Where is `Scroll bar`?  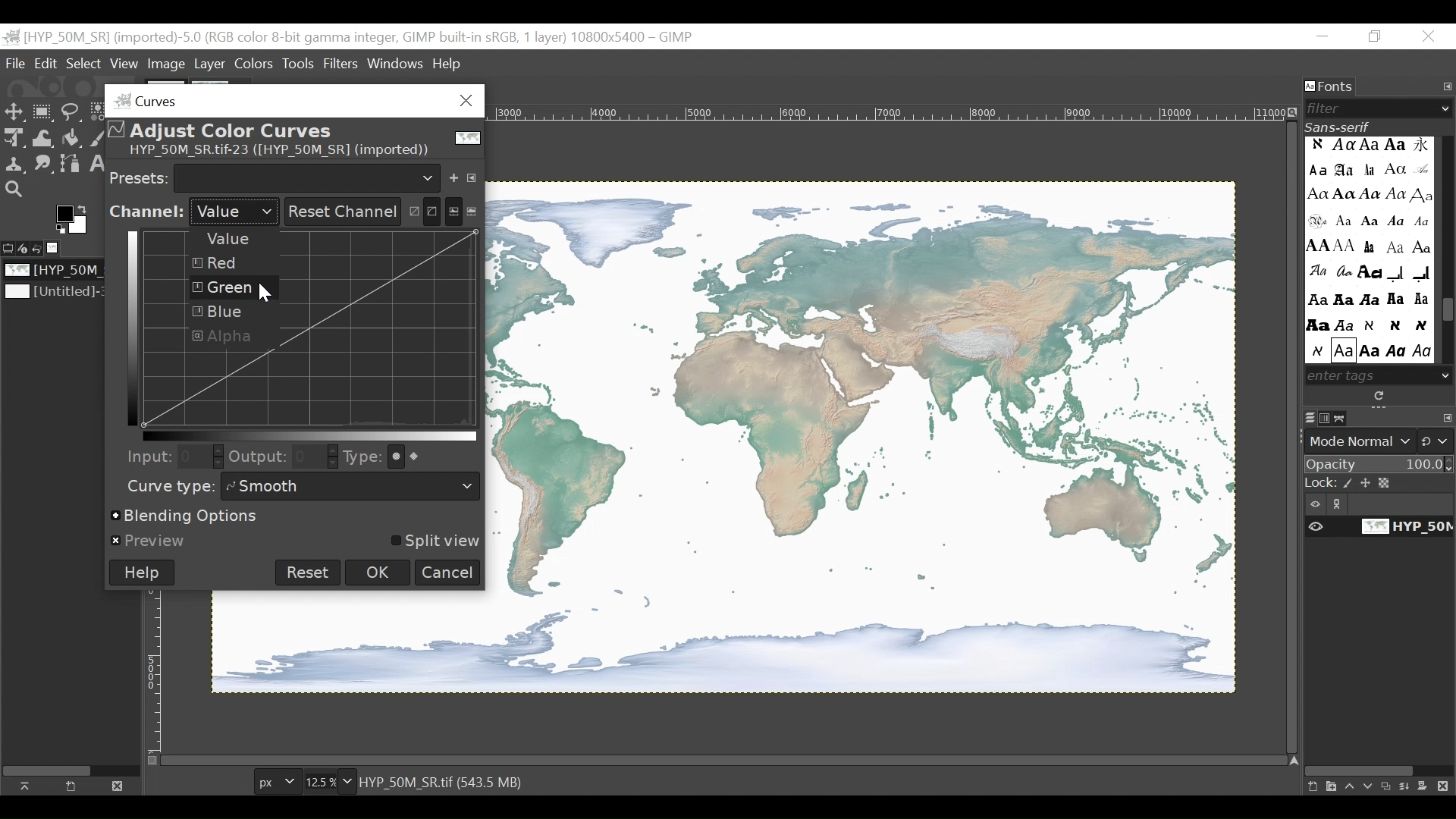
Scroll bar is located at coordinates (1447, 312).